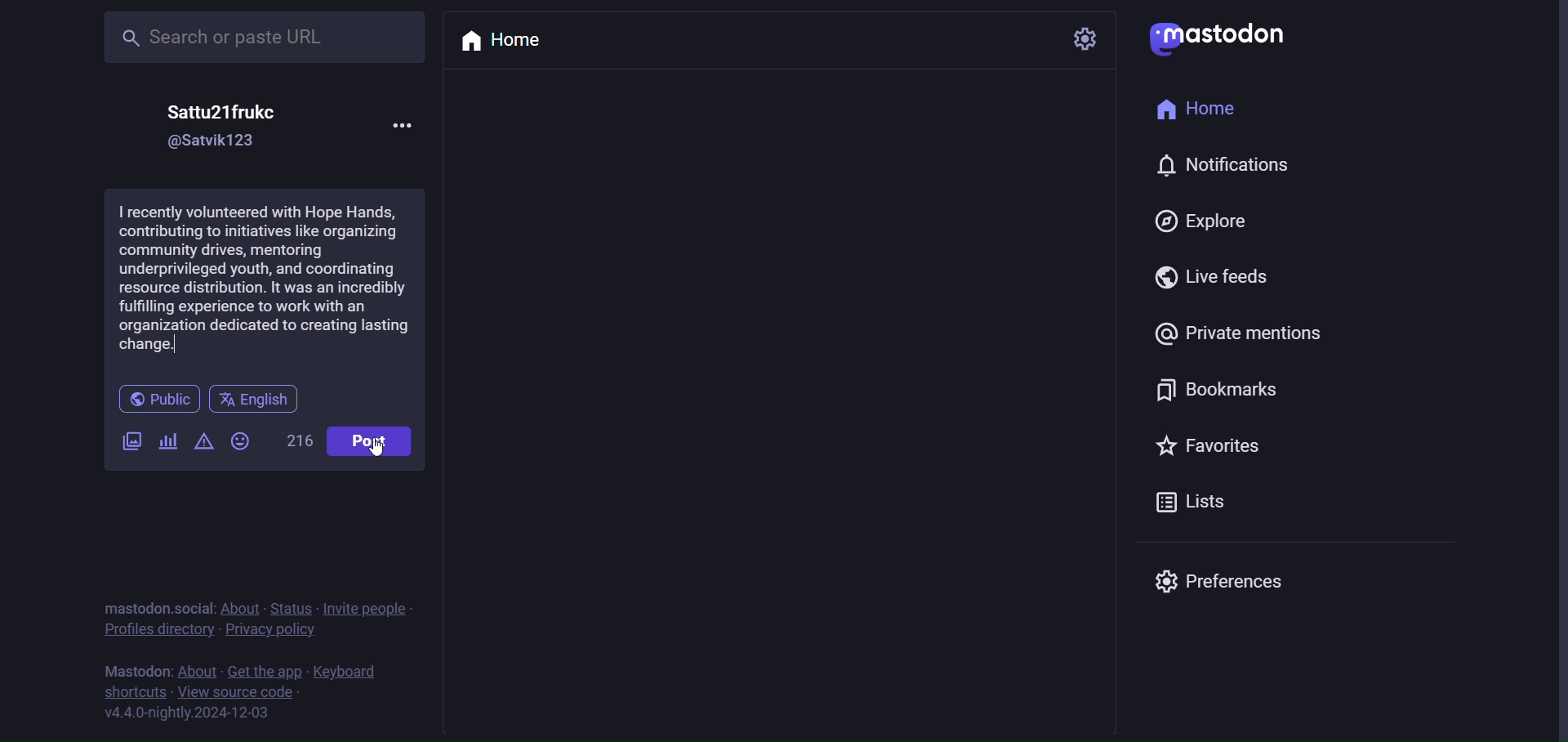  What do you see at coordinates (366, 445) in the screenshot?
I see `Post` at bounding box center [366, 445].